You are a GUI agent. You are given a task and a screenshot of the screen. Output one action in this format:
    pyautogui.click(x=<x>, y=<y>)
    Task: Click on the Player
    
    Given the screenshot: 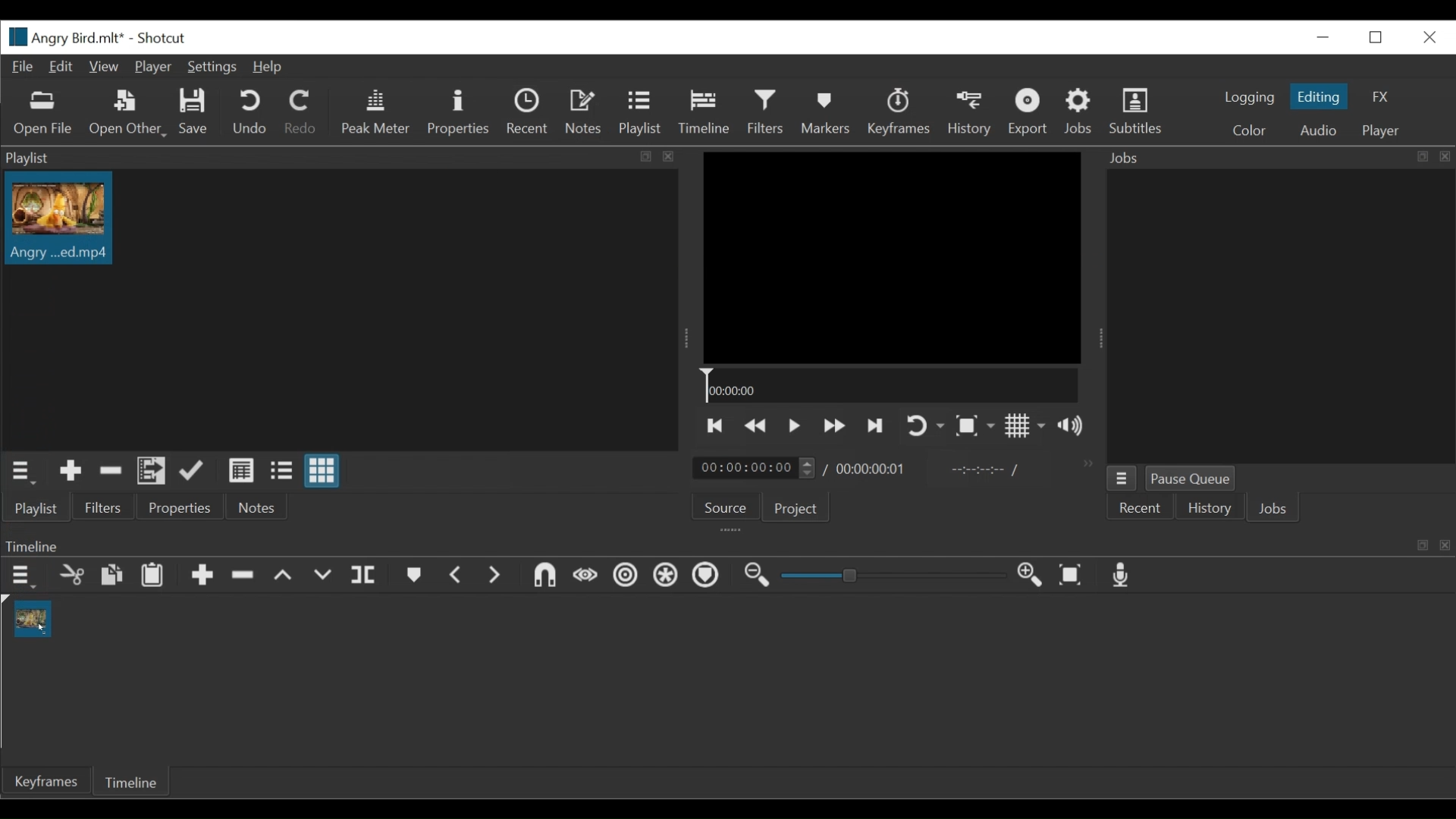 What is the action you would take?
    pyautogui.click(x=153, y=67)
    